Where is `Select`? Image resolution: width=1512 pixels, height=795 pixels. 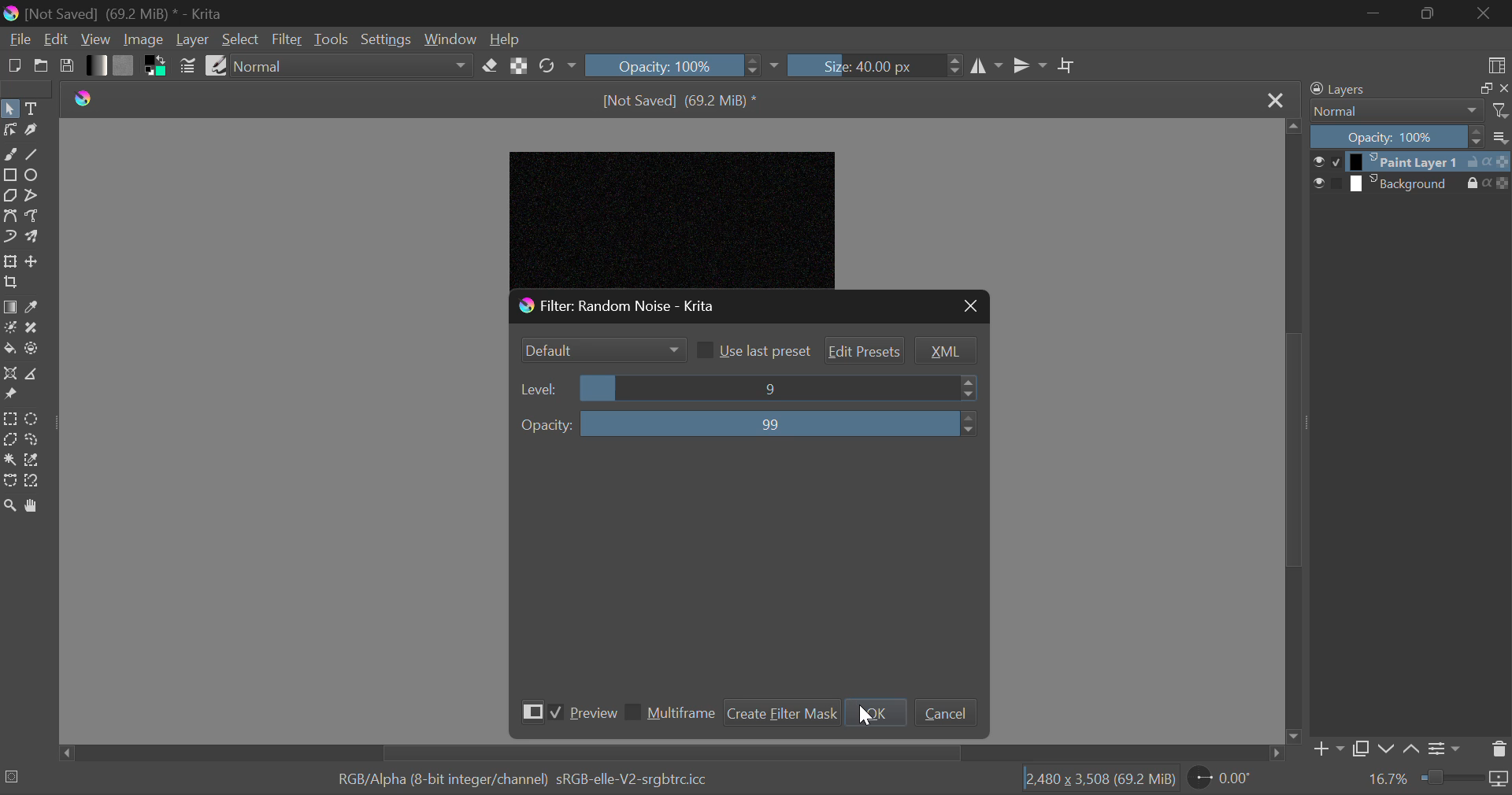 Select is located at coordinates (240, 39).